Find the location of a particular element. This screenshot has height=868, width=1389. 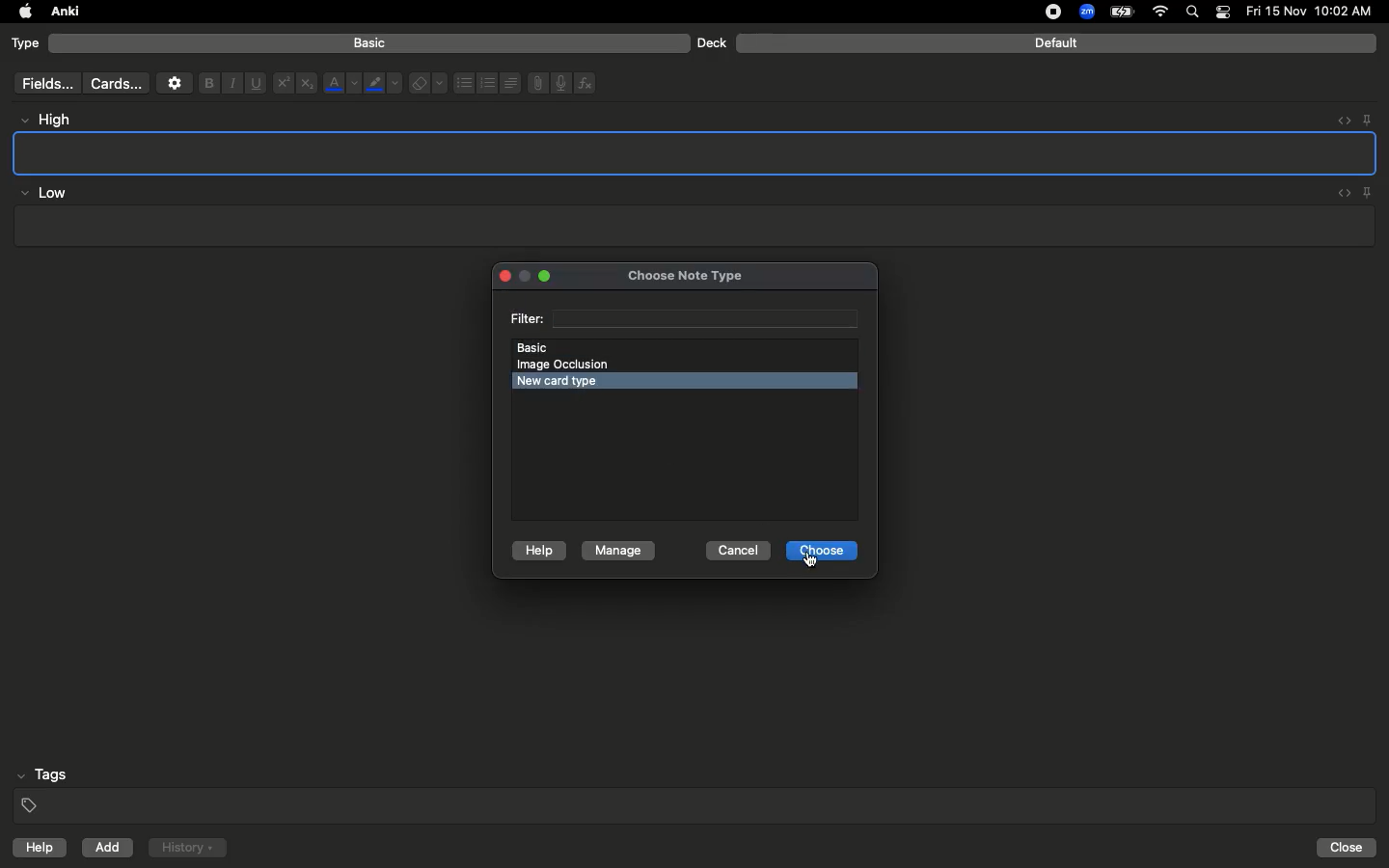

date and time is located at coordinates (1315, 11).